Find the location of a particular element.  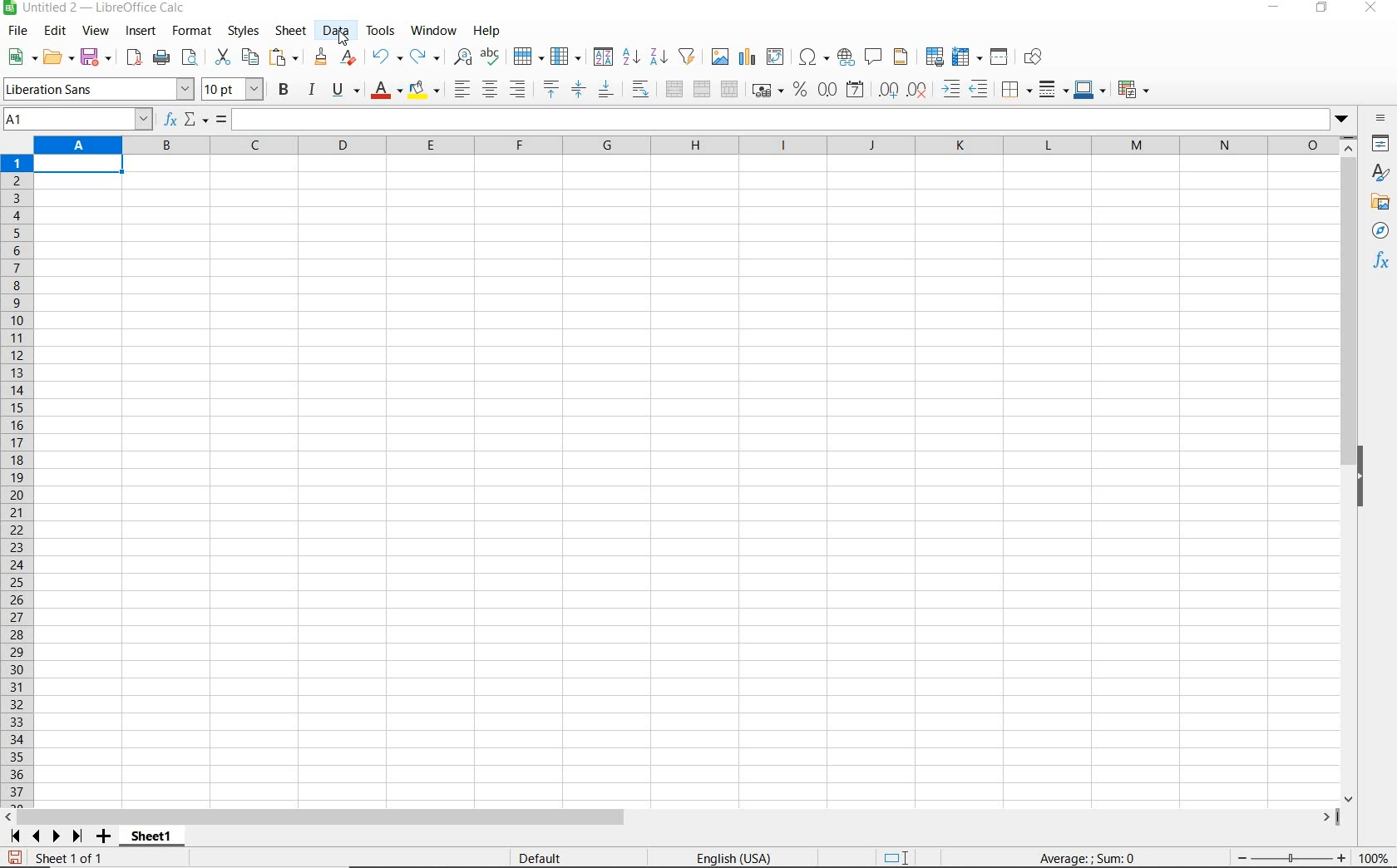

autofilter is located at coordinates (686, 57).